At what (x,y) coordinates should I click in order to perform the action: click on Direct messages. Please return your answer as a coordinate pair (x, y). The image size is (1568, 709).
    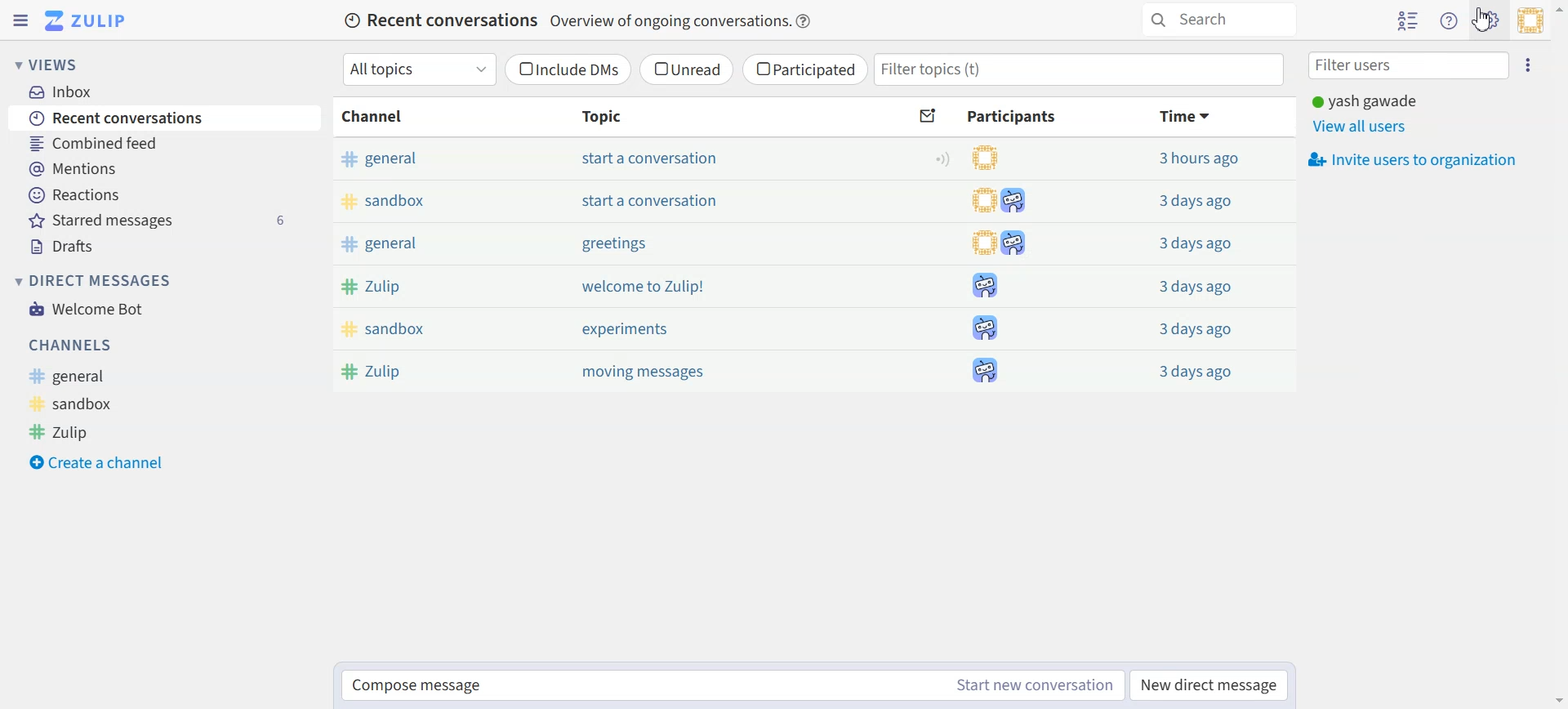
    Looking at the image, I should click on (91, 281).